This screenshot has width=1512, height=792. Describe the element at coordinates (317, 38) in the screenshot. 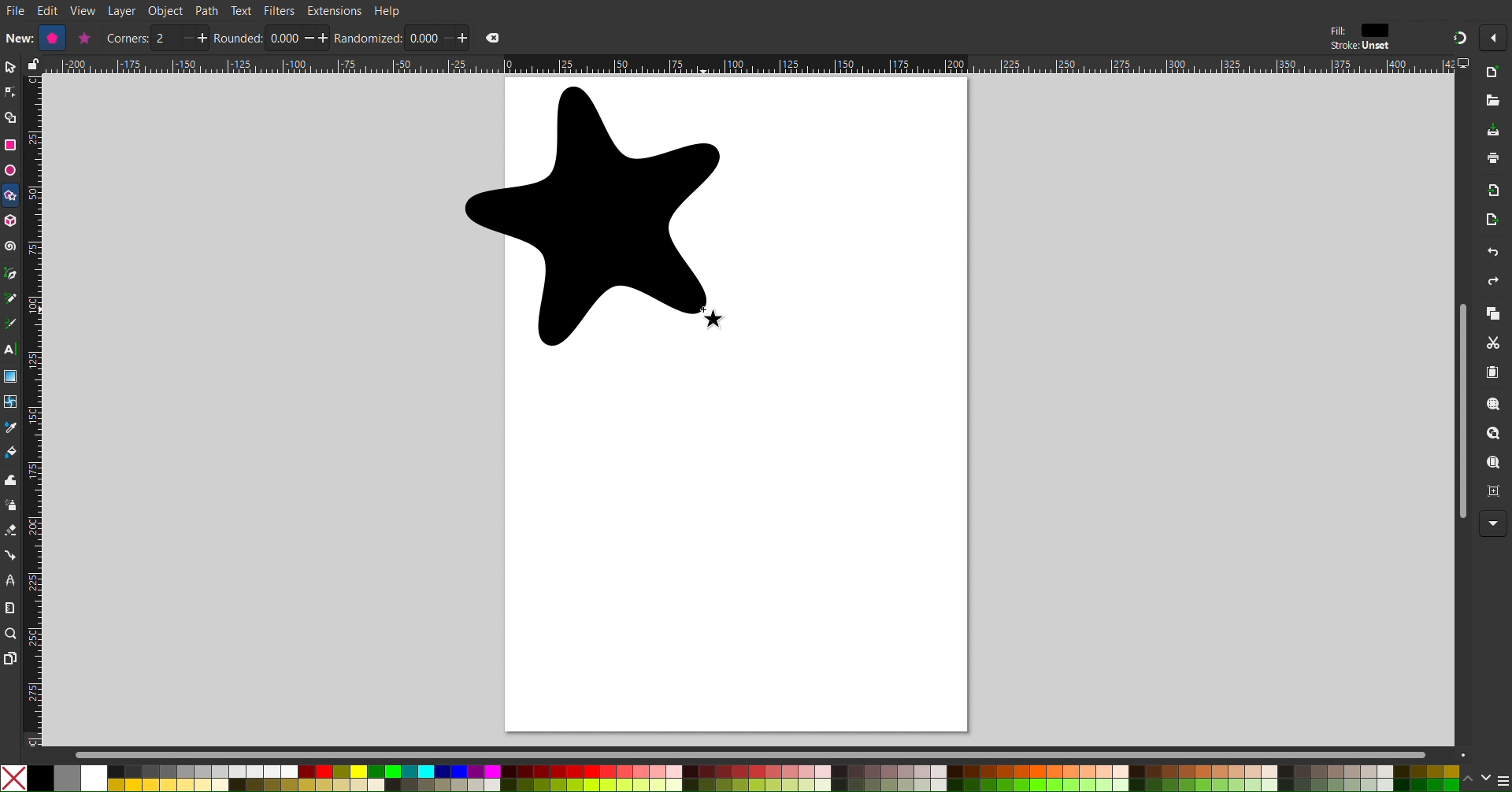

I see `increase/decrease` at that location.